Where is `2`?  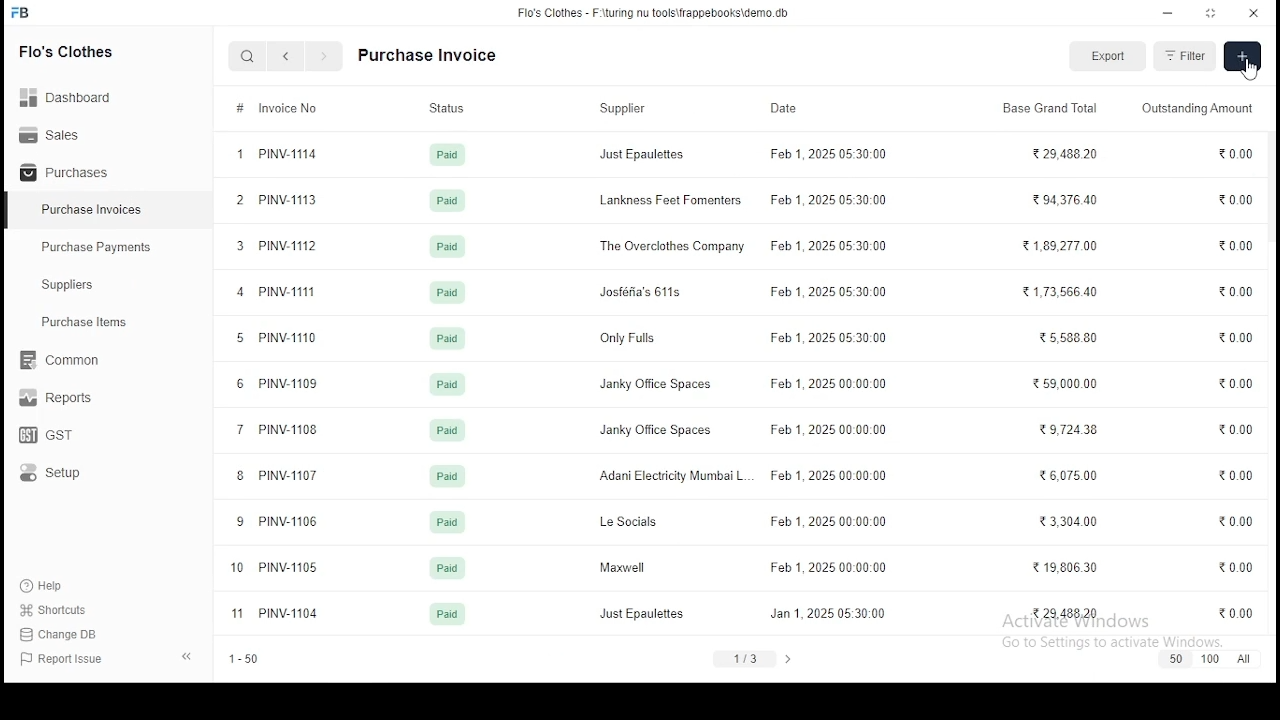
2 is located at coordinates (239, 199).